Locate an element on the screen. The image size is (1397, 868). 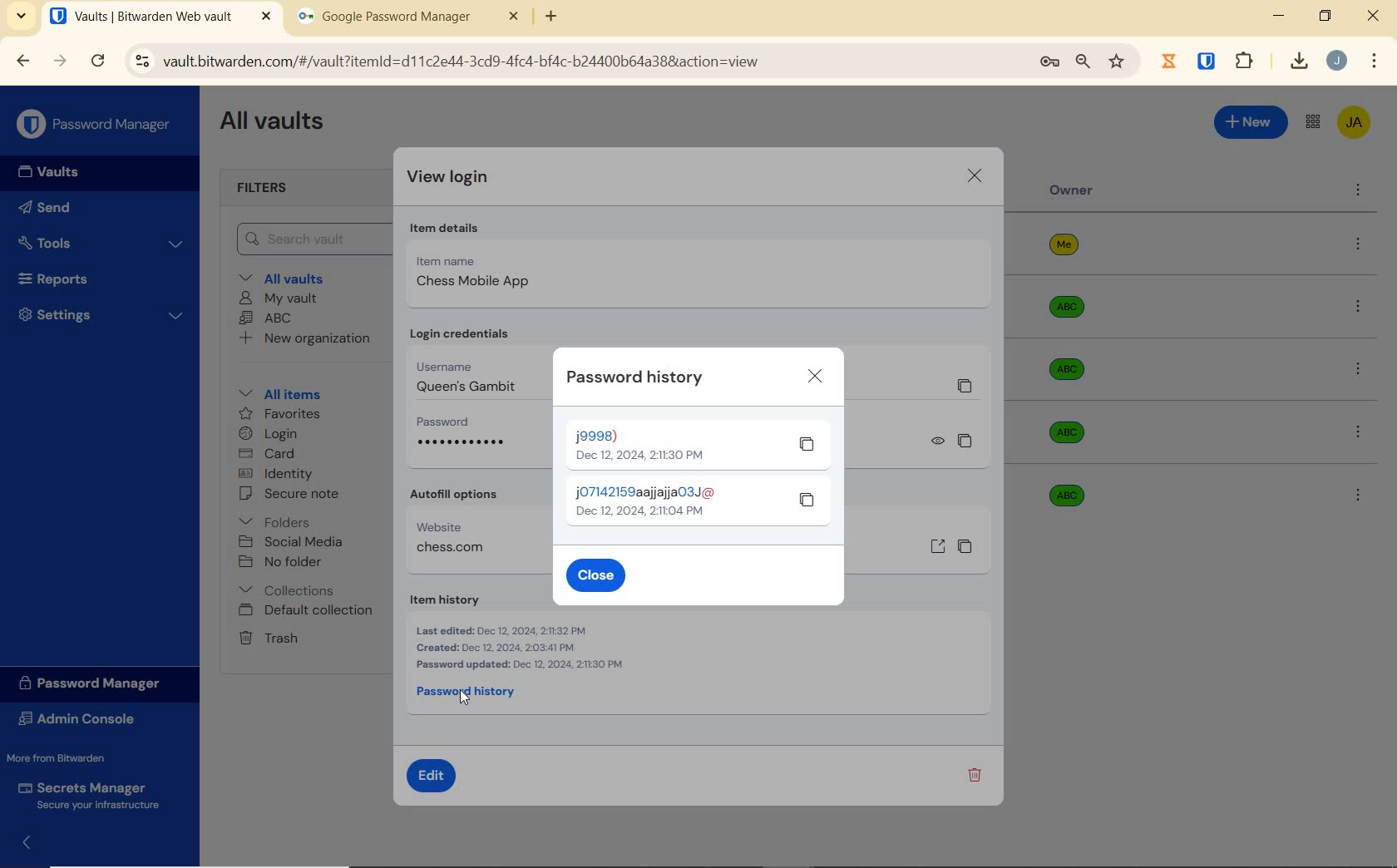
restore is located at coordinates (1324, 15).